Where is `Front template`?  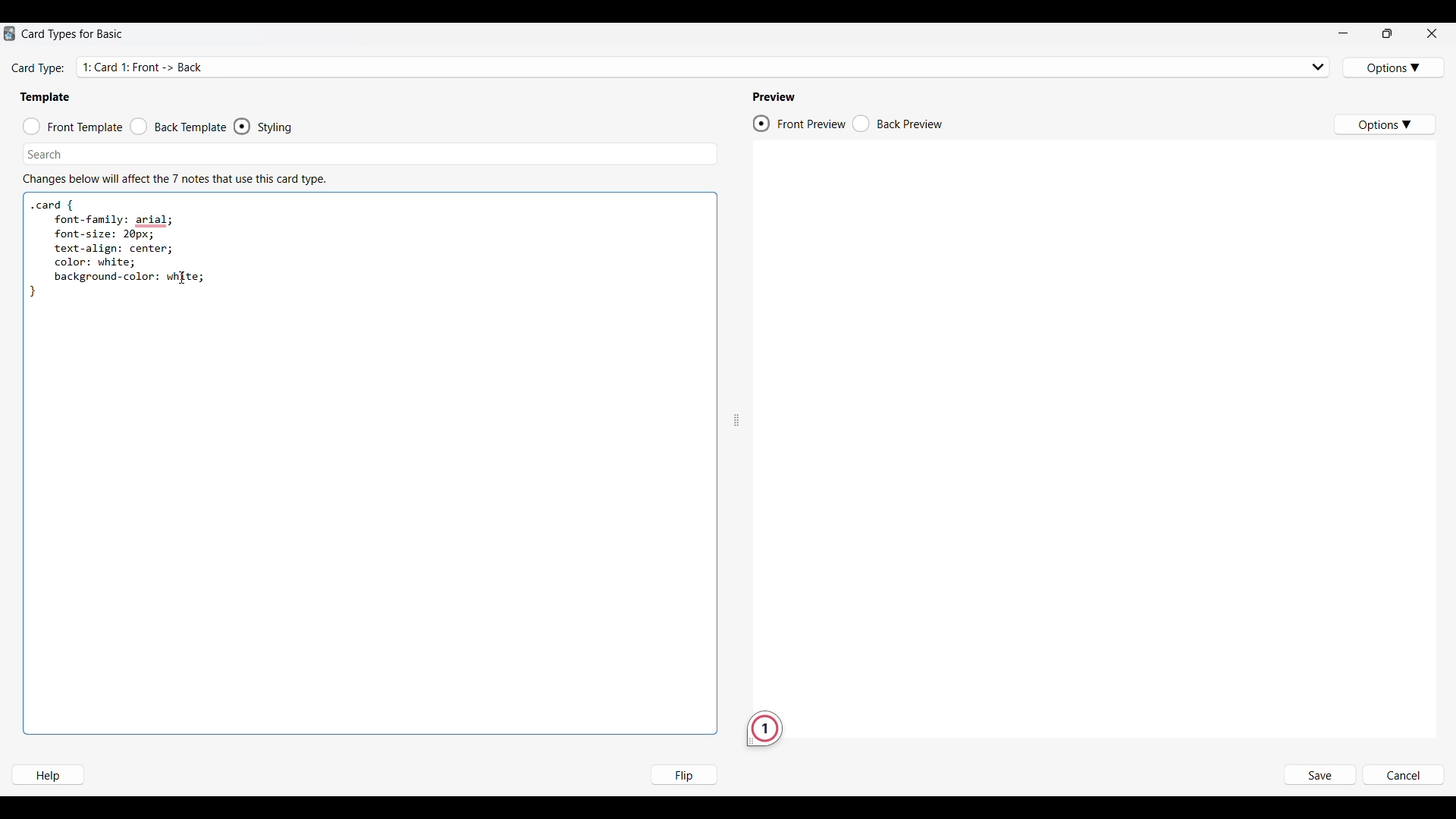 Front template is located at coordinates (73, 127).